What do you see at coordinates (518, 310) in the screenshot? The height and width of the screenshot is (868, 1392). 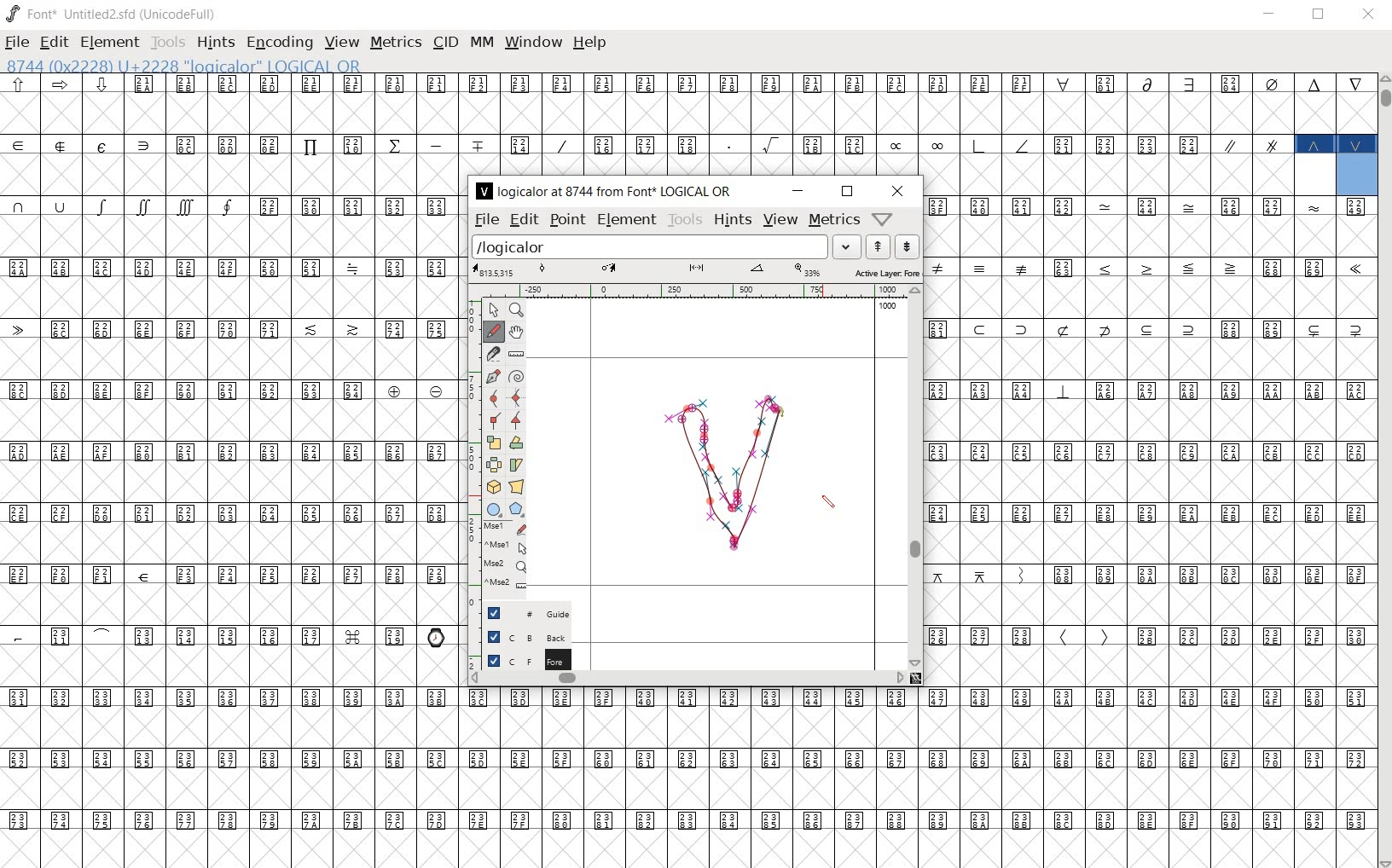 I see `MAGNIFY` at bounding box center [518, 310].